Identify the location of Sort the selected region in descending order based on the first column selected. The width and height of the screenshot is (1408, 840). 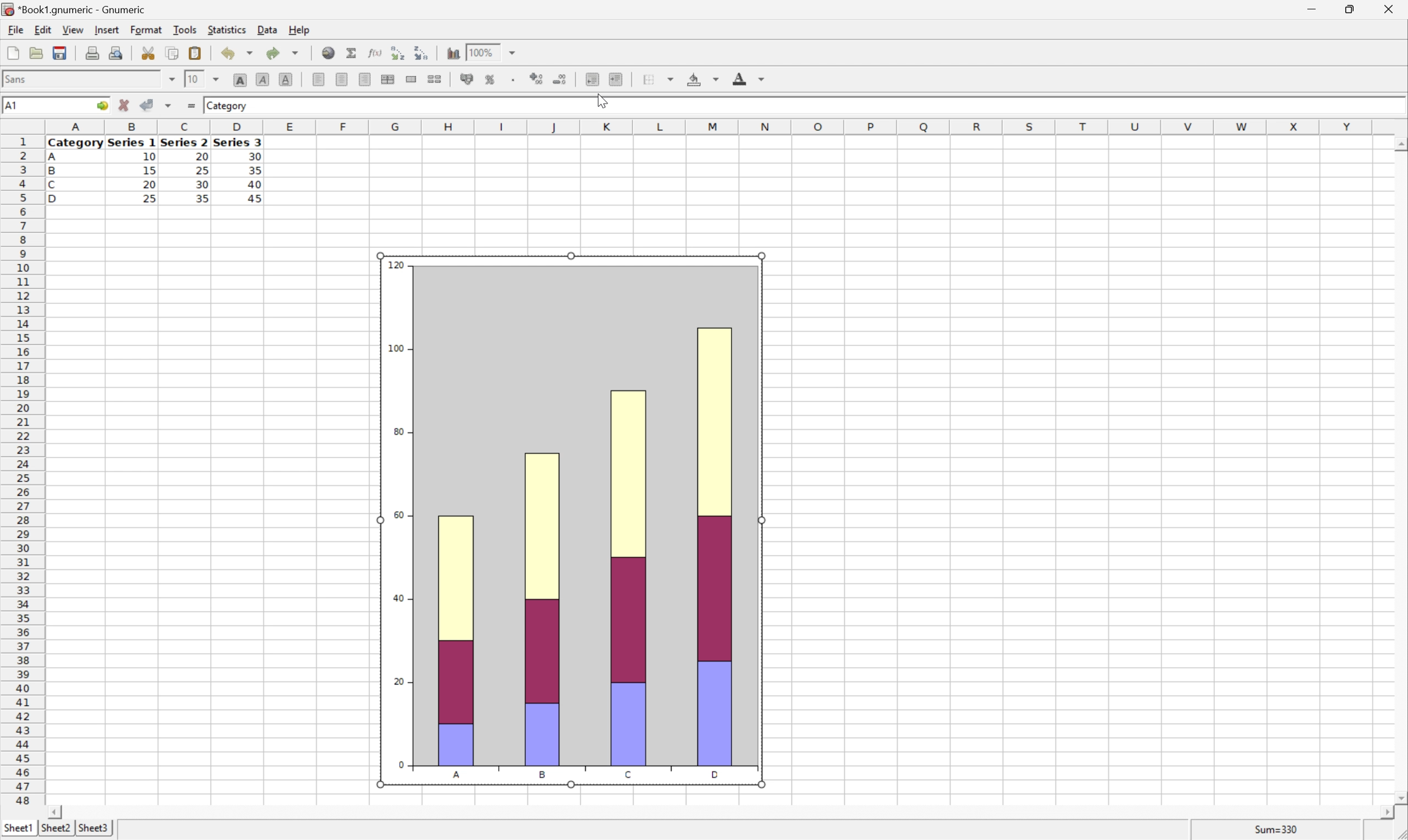
(418, 53).